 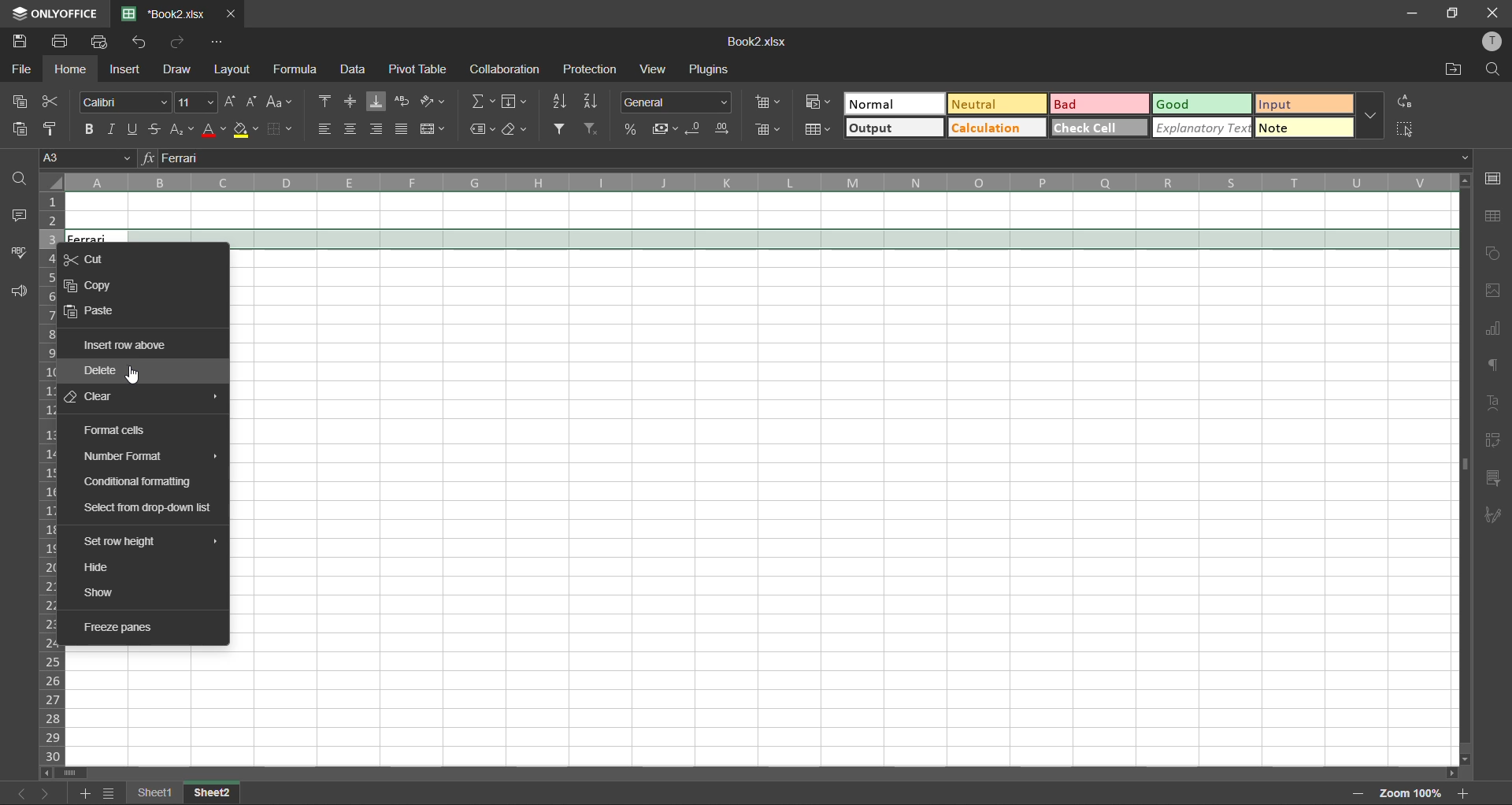 I want to click on zoom in, so click(x=1465, y=791).